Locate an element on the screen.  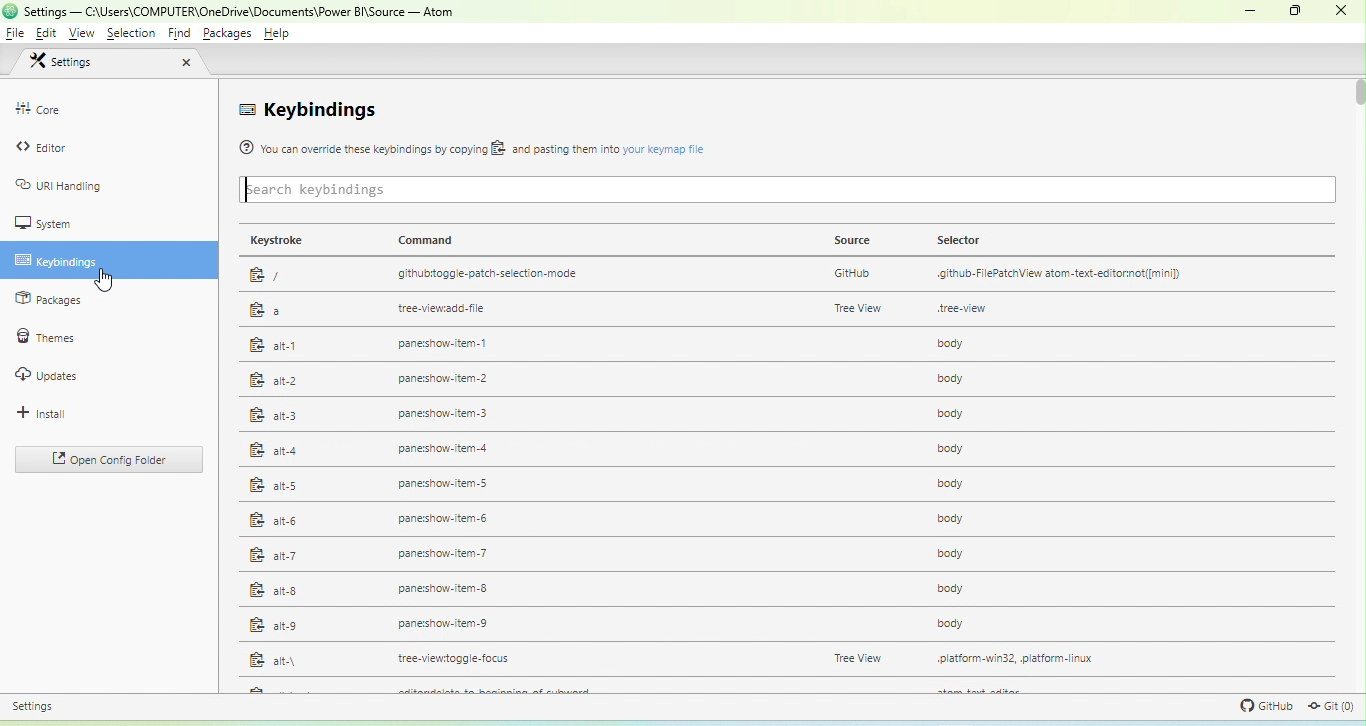
themes is located at coordinates (45, 337).